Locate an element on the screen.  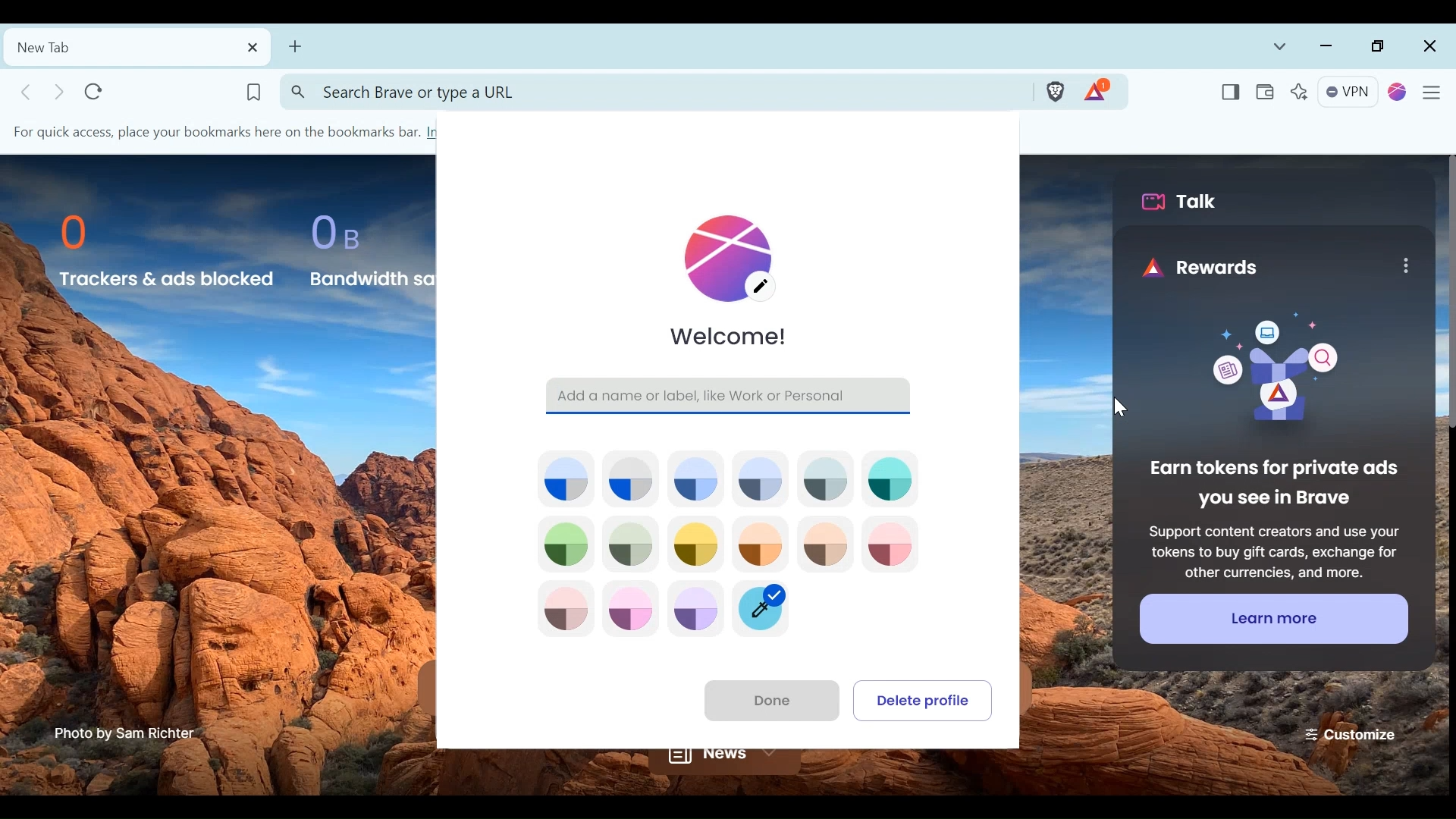
Customize is located at coordinates (1352, 733).